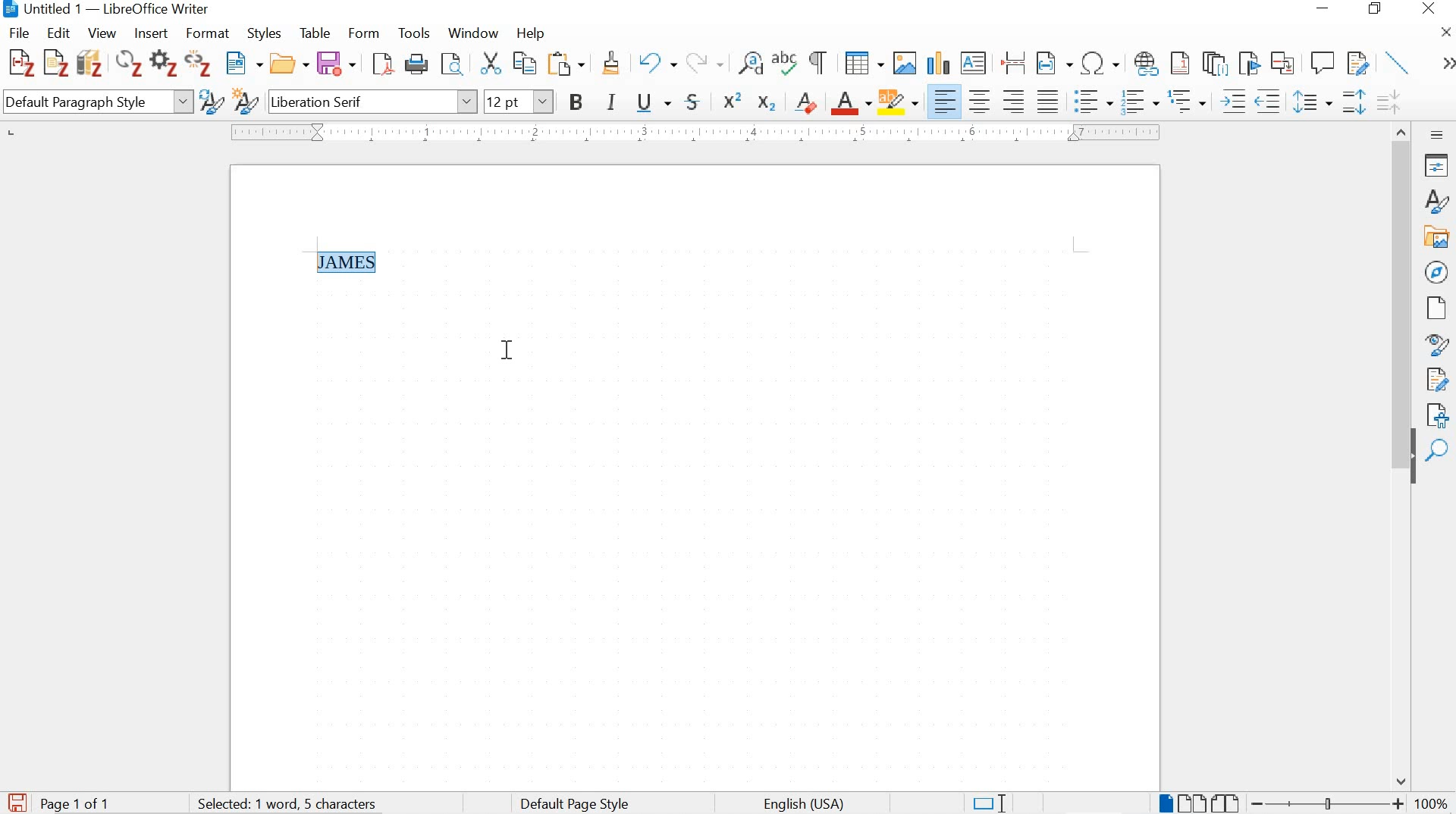 The image size is (1456, 814). I want to click on window, so click(472, 35).